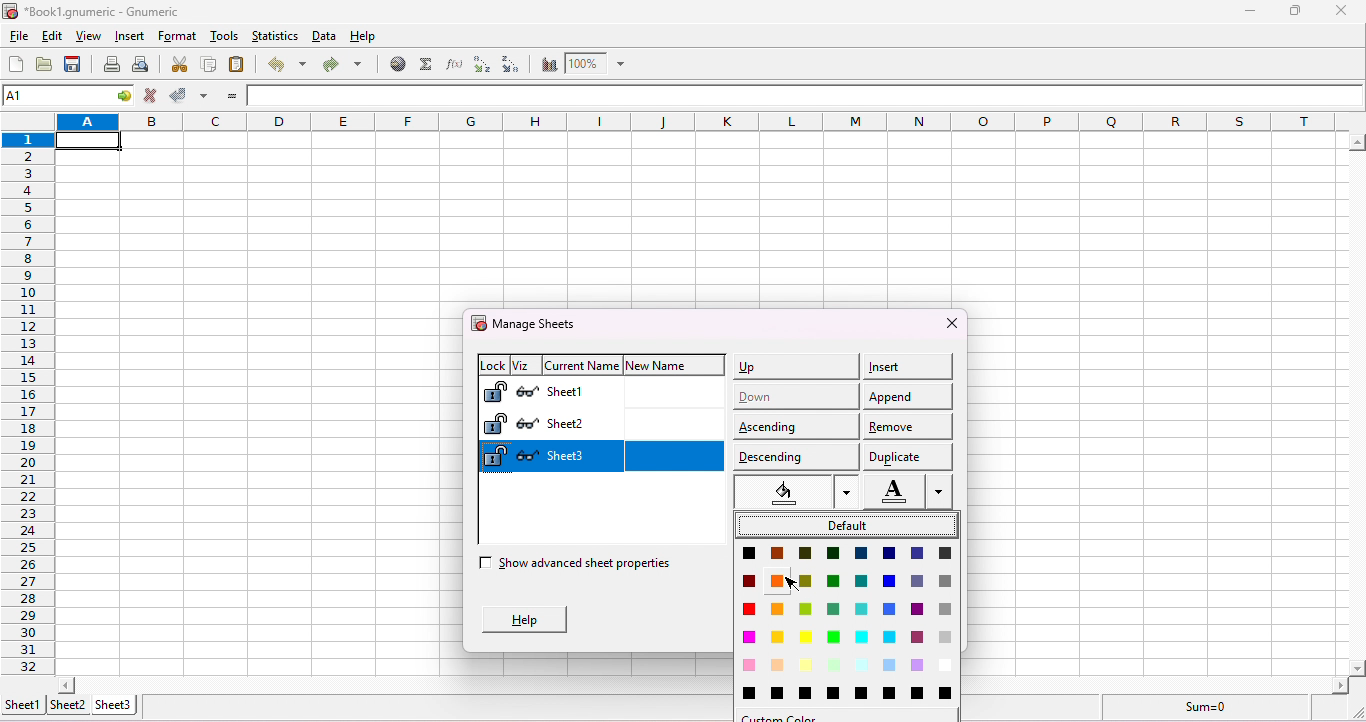  What do you see at coordinates (55, 95) in the screenshot?
I see `cell name A1` at bounding box center [55, 95].